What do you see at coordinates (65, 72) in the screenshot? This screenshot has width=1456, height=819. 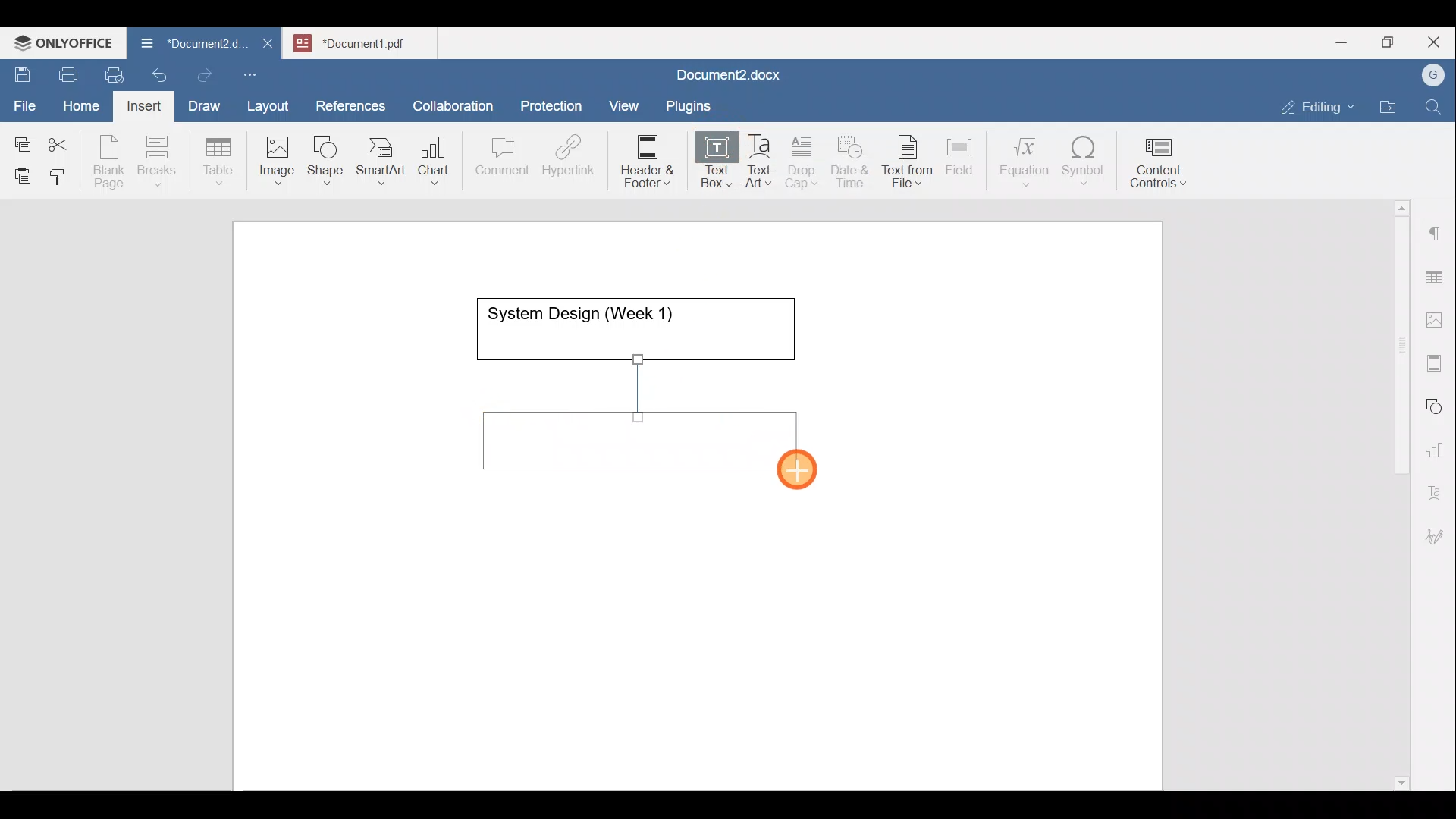 I see `Print file` at bounding box center [65, 72].